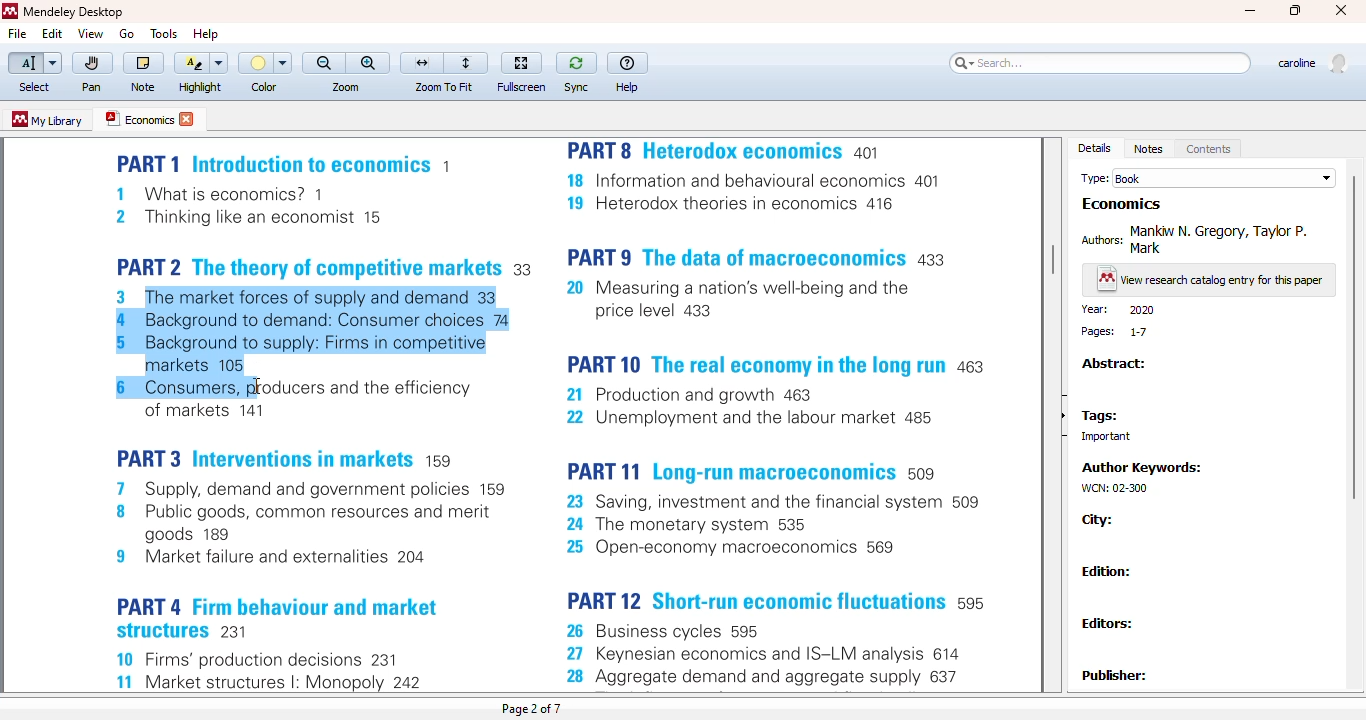  Describe the element at coordinates (346, 87) in the screenshot. I see `zoom` at that location.